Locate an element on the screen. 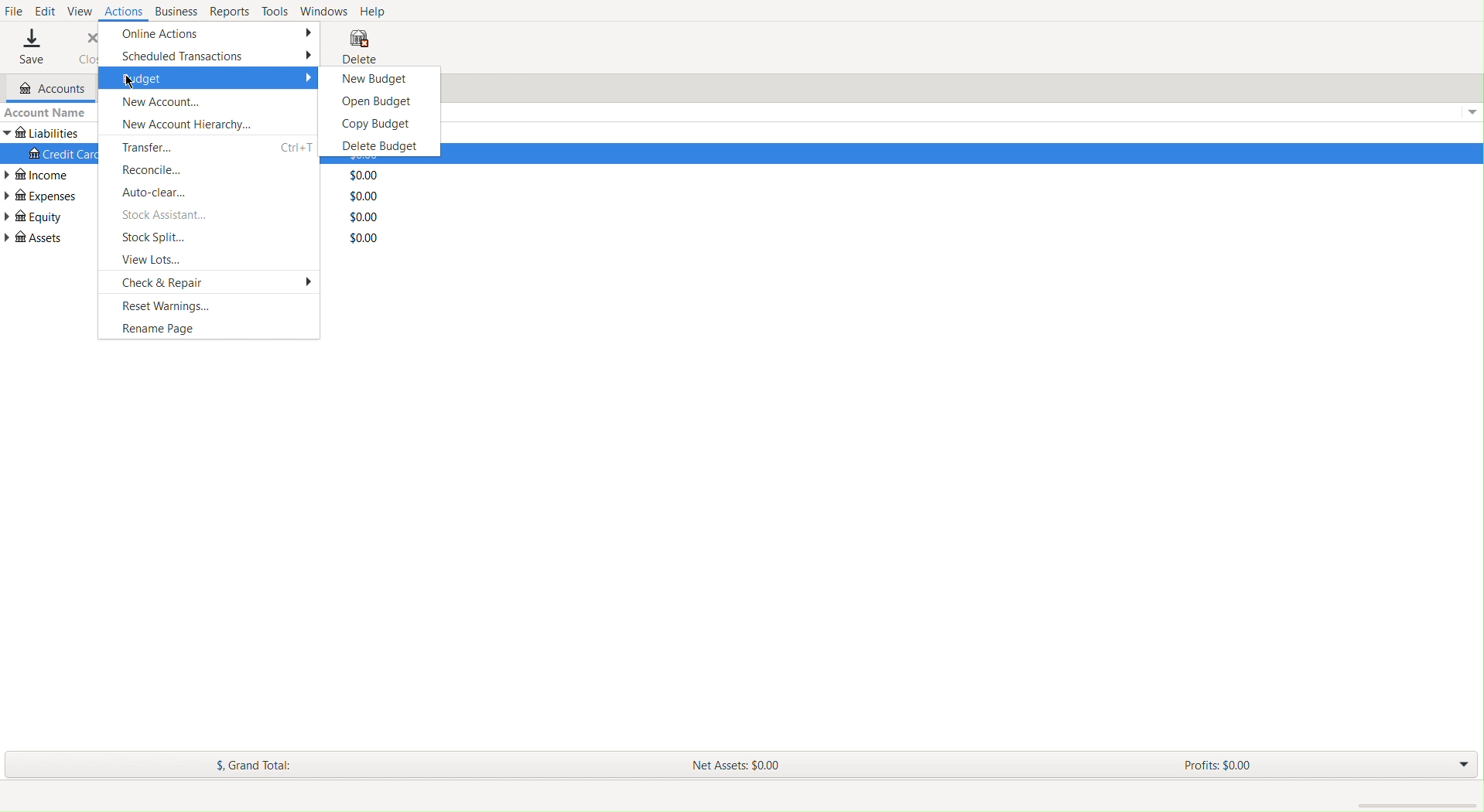 This screenshot has height=812, width=1484. Windows is located at coordinates (326, 11).